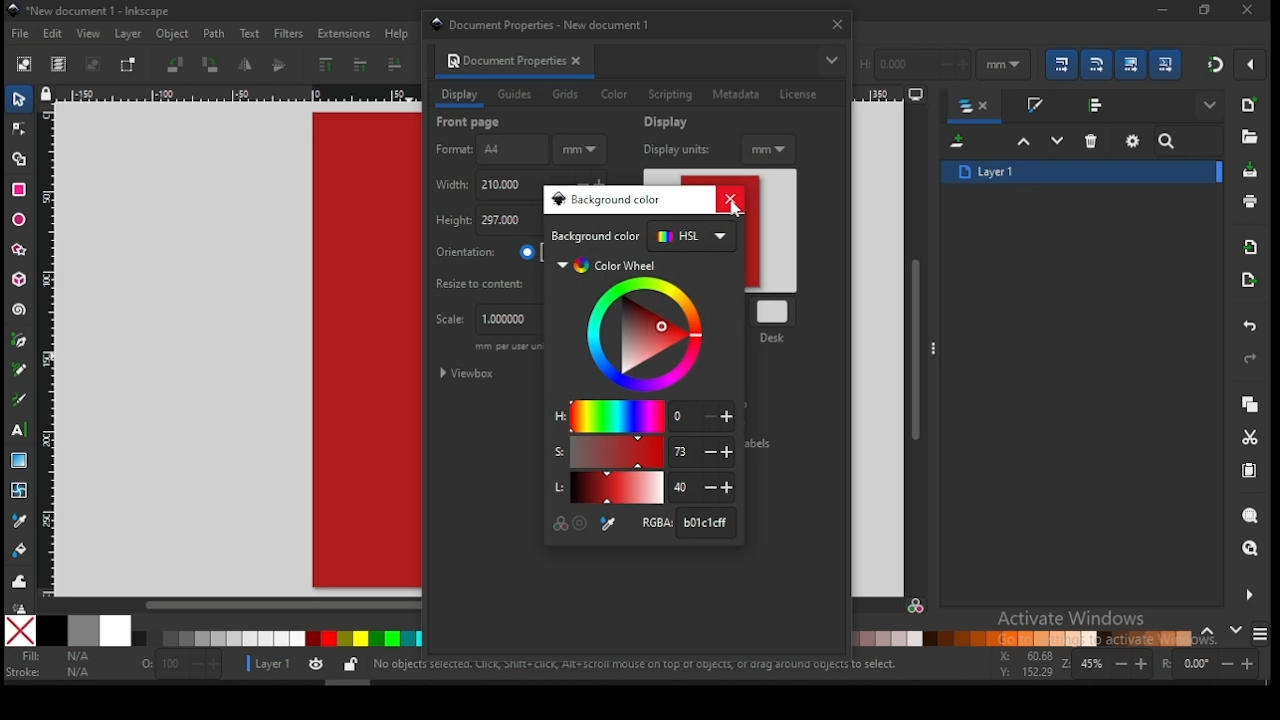 The height and width of the screenshot is (720, 1280). Describe the element at coordinates (489, 283) in the screenshot. I see `resize to content` at that location.